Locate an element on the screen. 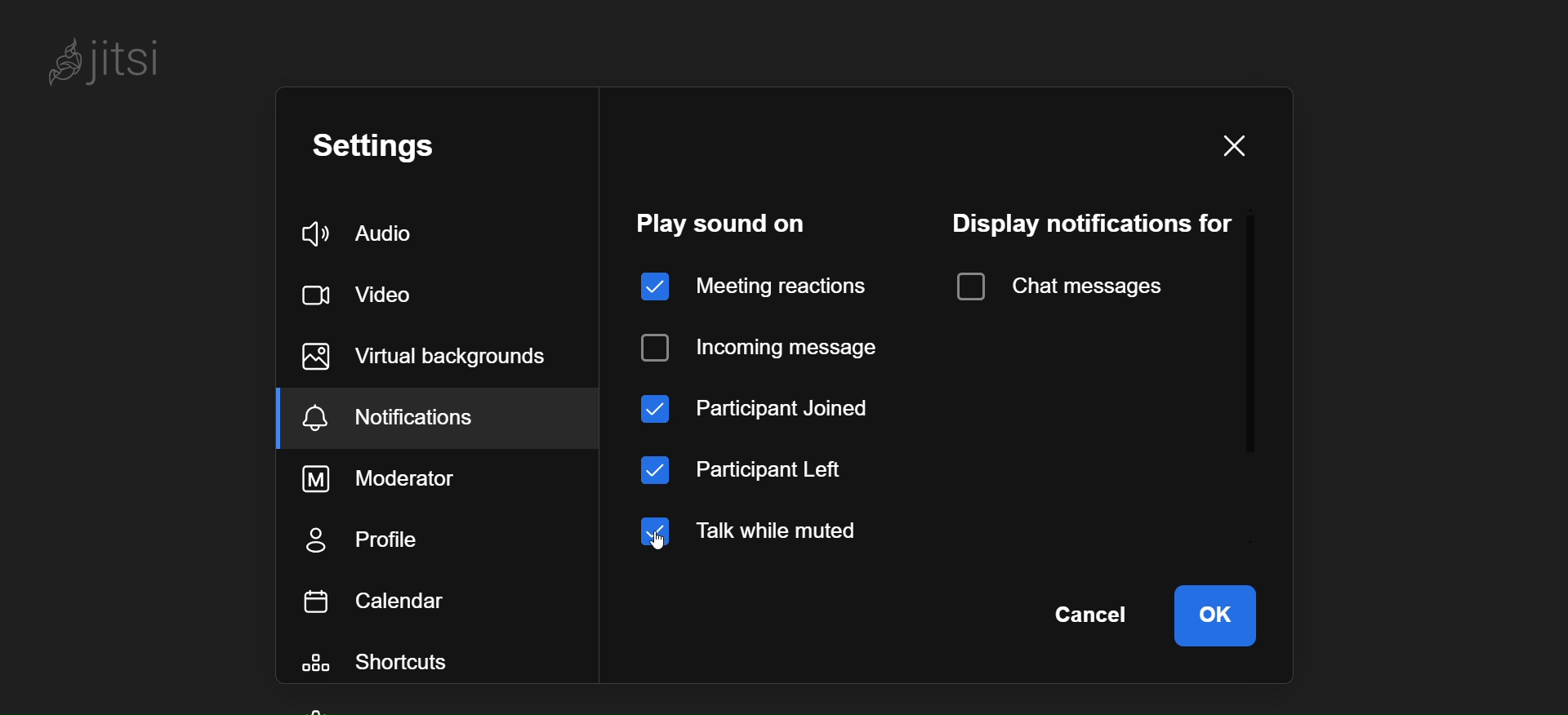 This screenshot has width=1568, height=715. participant joined is located at coordinates (763, 402).